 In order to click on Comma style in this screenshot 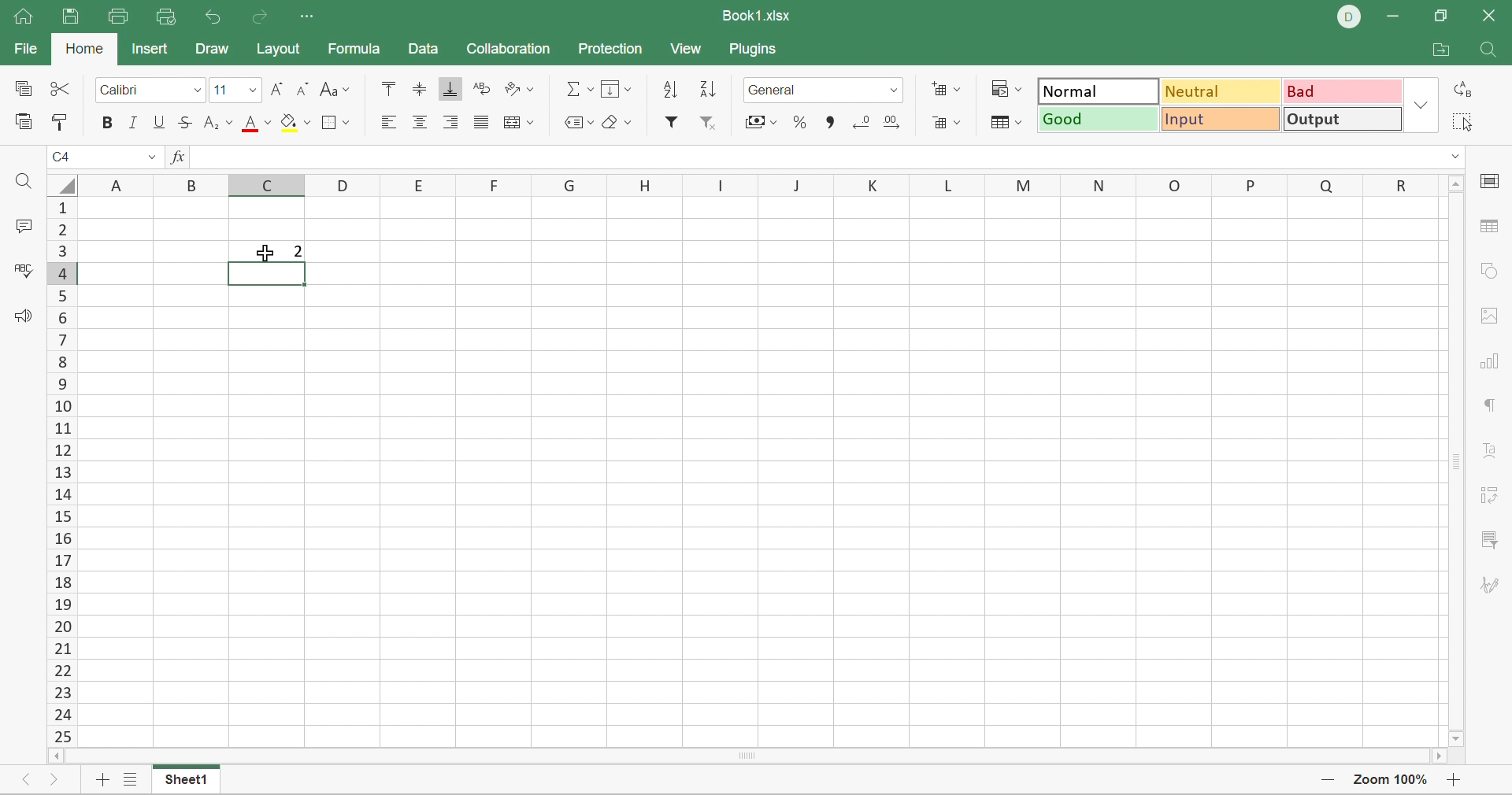, I will do `click(829, 120)`.